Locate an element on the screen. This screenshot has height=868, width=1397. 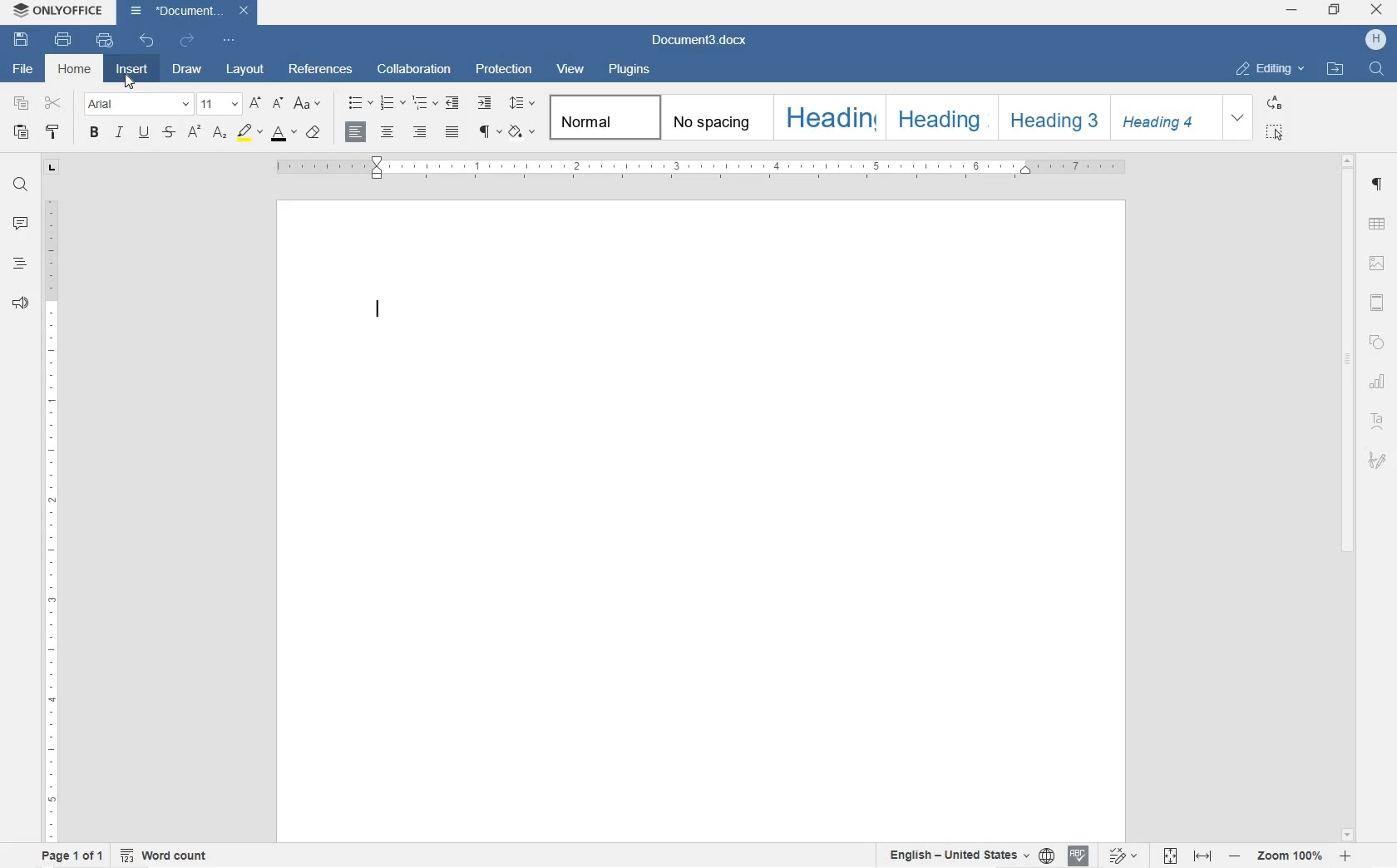
TRACK CHANGES is located at coordinates (1122, 855).